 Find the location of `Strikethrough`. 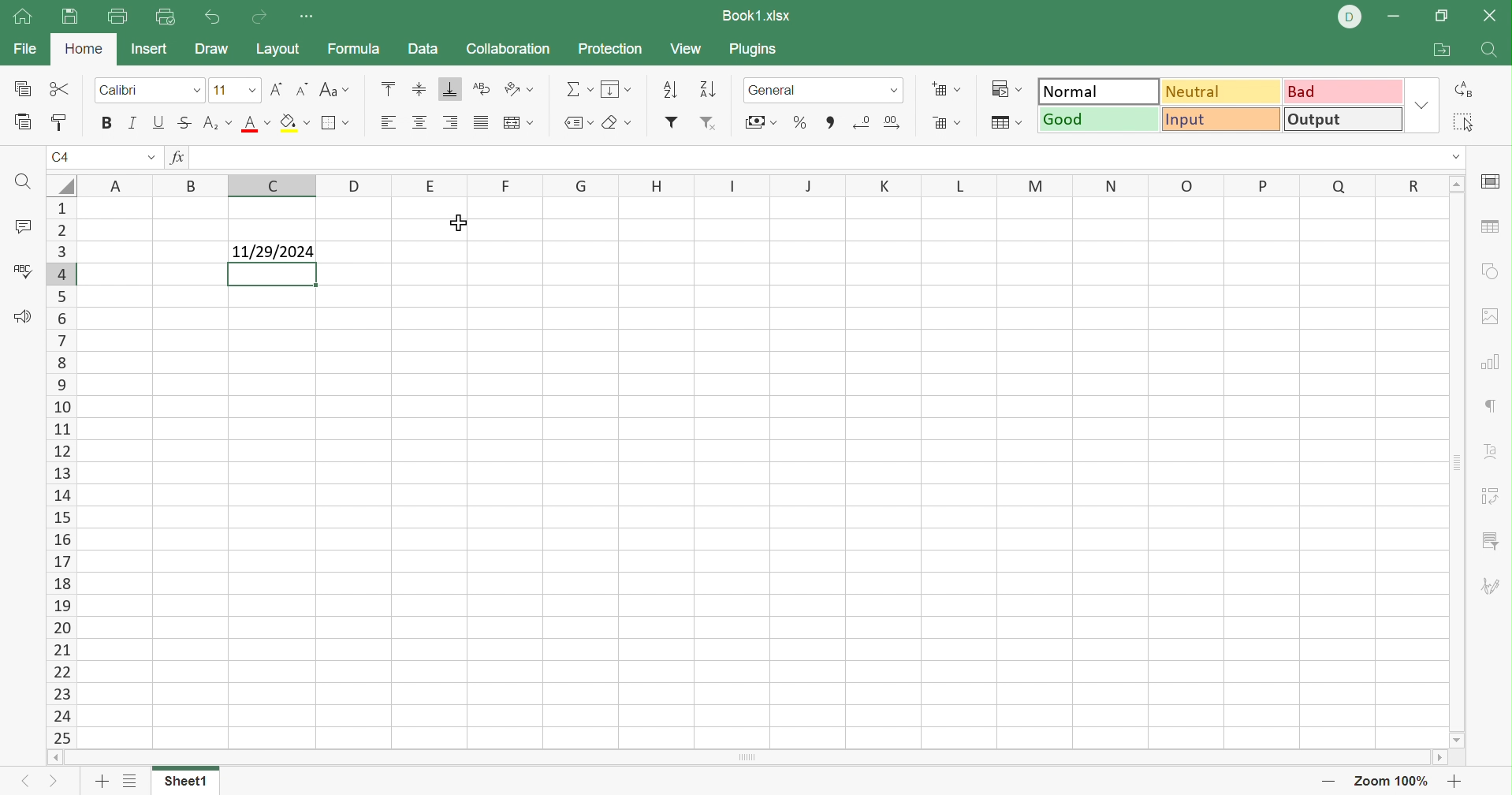

Strikethrough is located at coordinates (184, 124).